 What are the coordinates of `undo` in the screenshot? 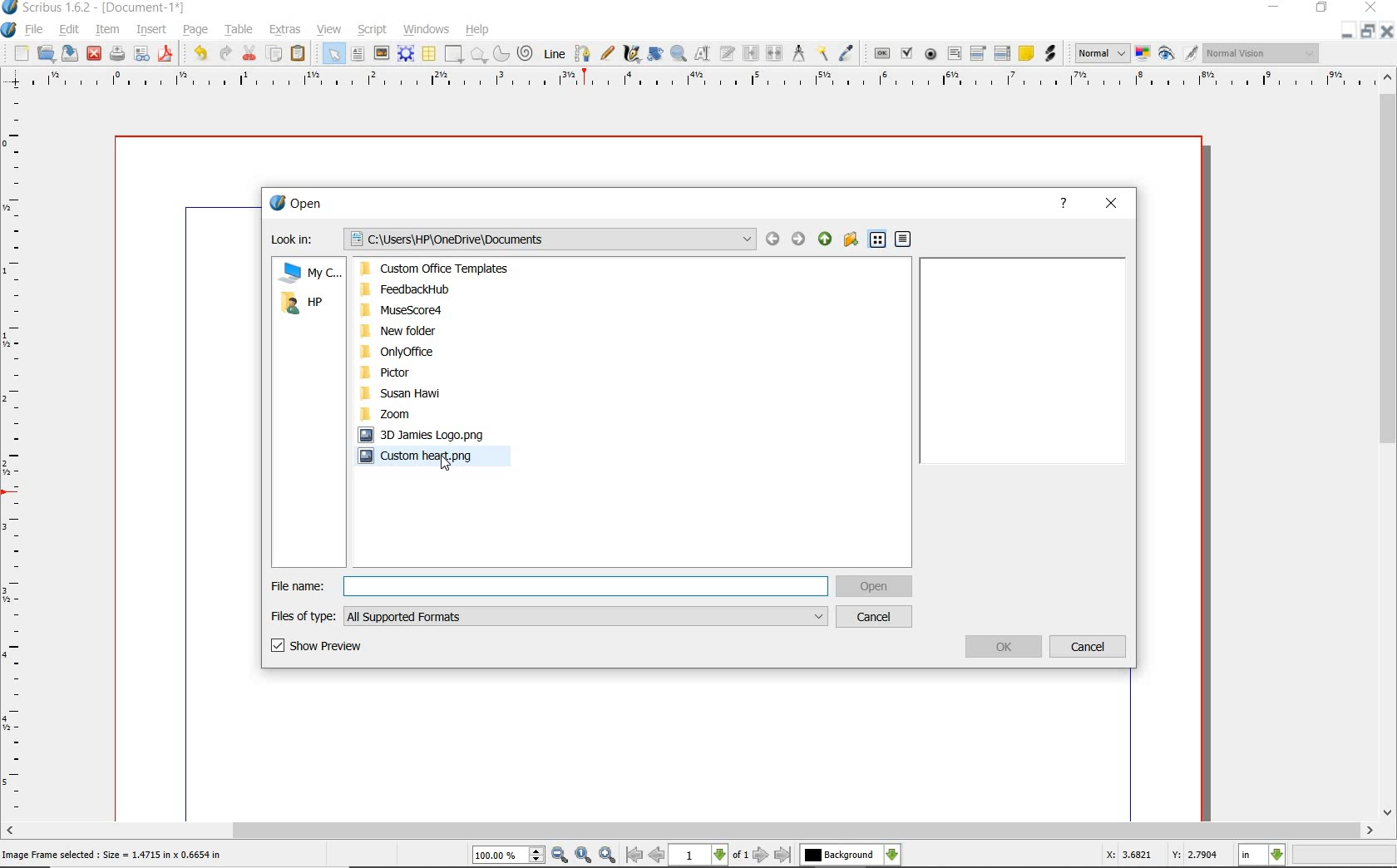 It's located at (200, 53).